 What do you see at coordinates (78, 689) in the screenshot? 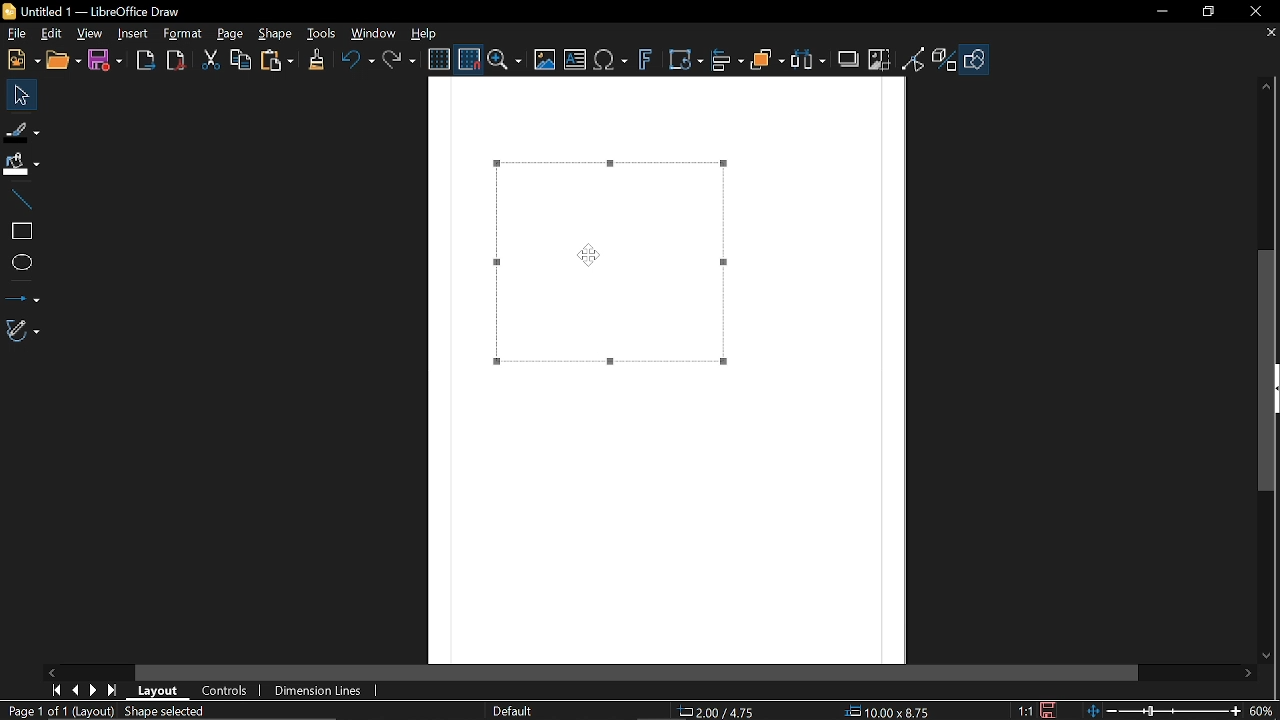
I see `Previous page` at bounding box center [78, 689].